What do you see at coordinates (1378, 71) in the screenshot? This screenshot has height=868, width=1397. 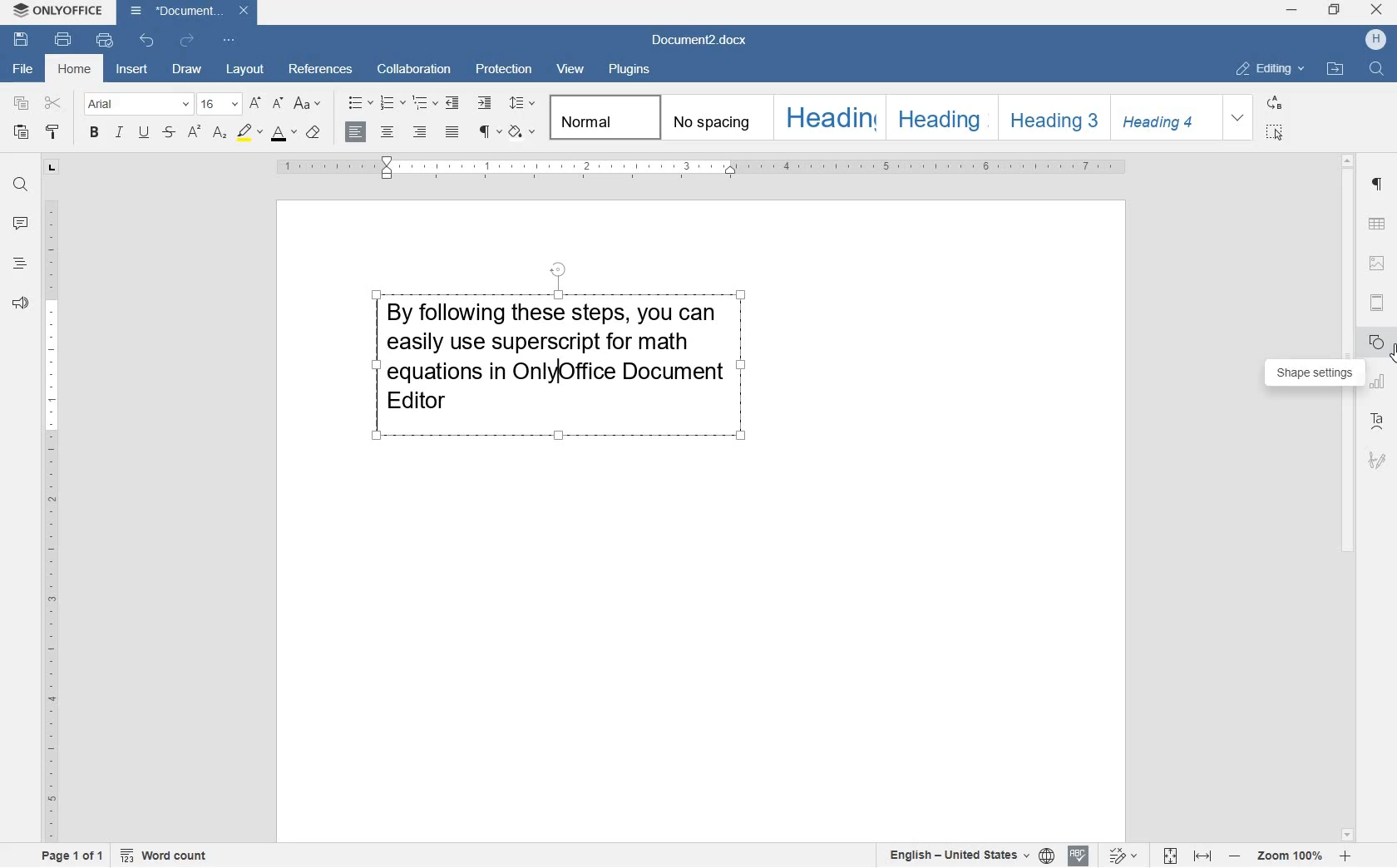 I see `FIND` at bounding box center [1378, 71].